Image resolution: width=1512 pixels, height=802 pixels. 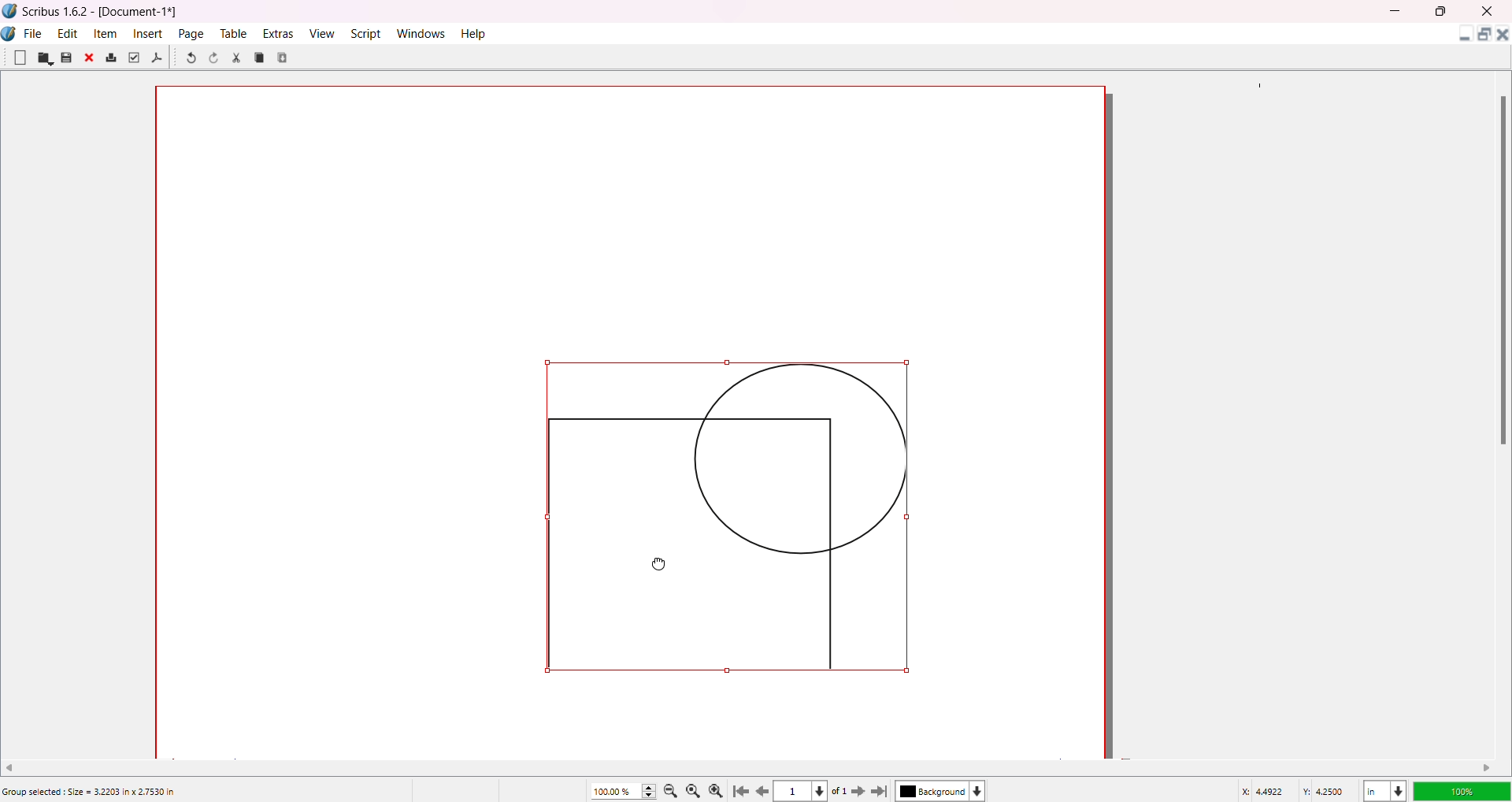 What do you see at coordinates (260, 57) in the screenshot?
I see `Copy` at bounding box center [260, 57].